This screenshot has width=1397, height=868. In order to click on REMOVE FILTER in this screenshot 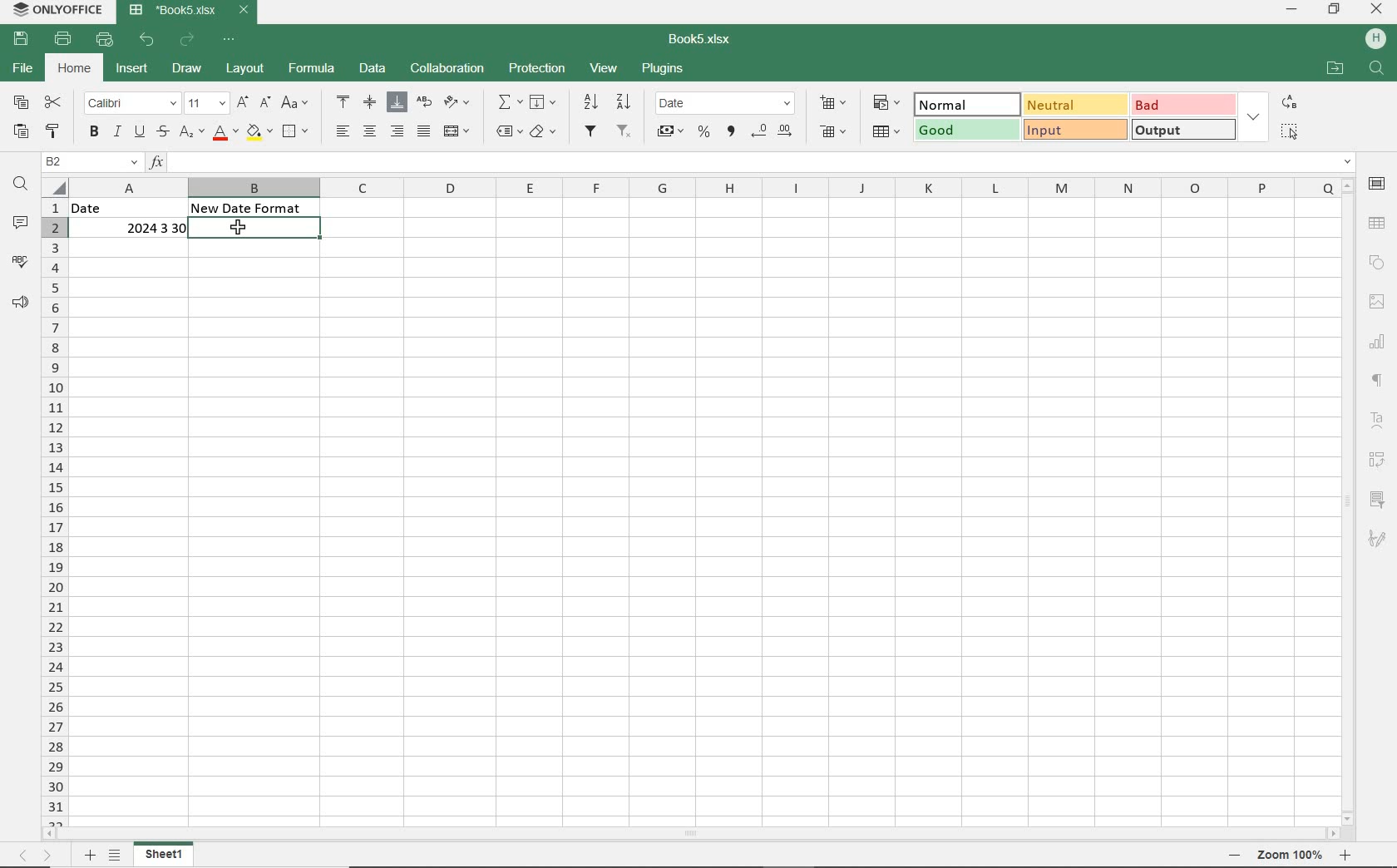, I will do `click(623, 133)`.